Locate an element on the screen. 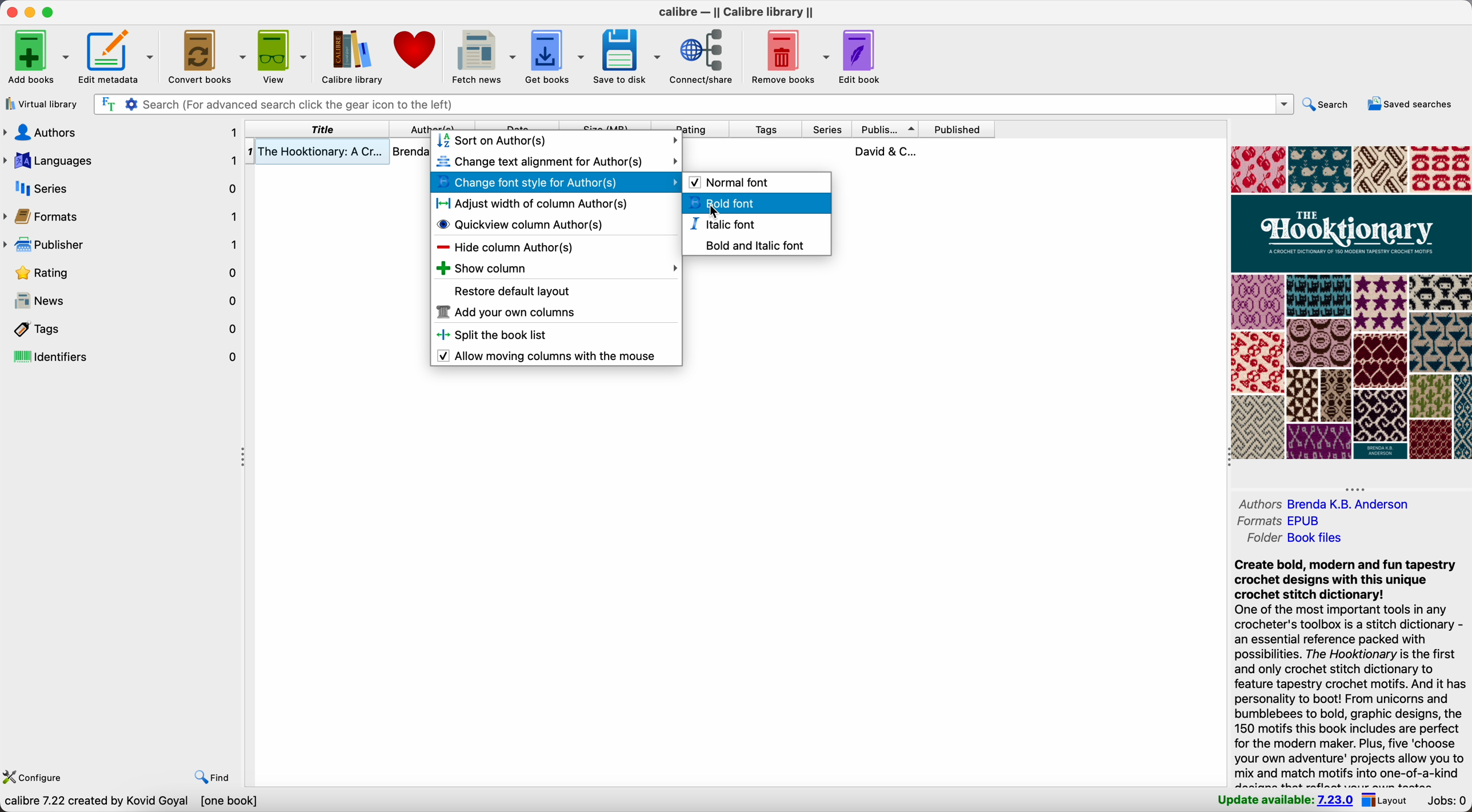  save to disk is located at coordinates (626, 54).